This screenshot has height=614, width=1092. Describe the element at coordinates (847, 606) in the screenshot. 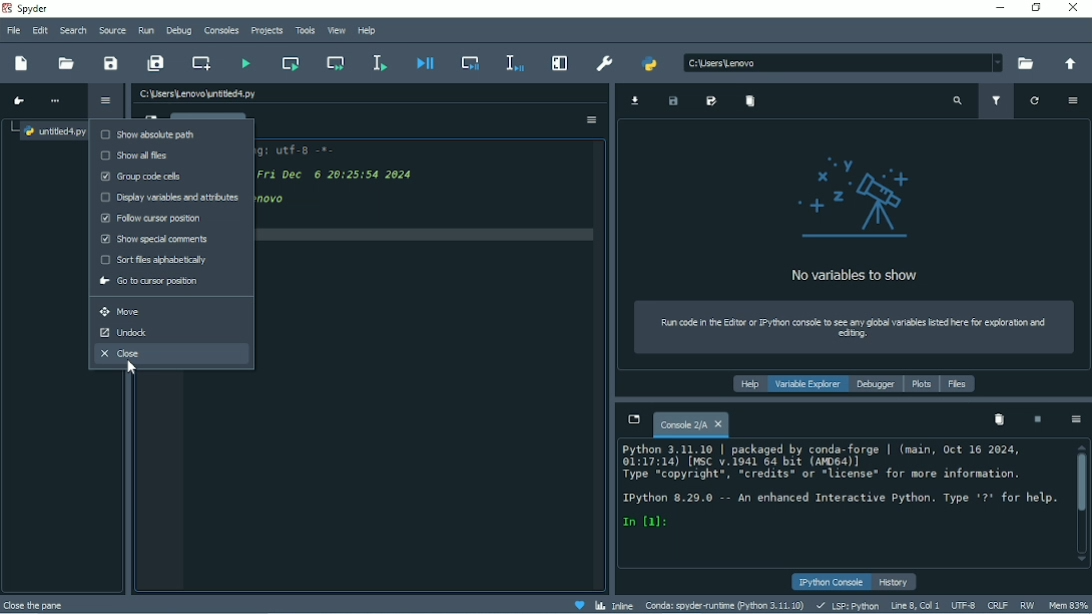

I see `LSP` at that location.